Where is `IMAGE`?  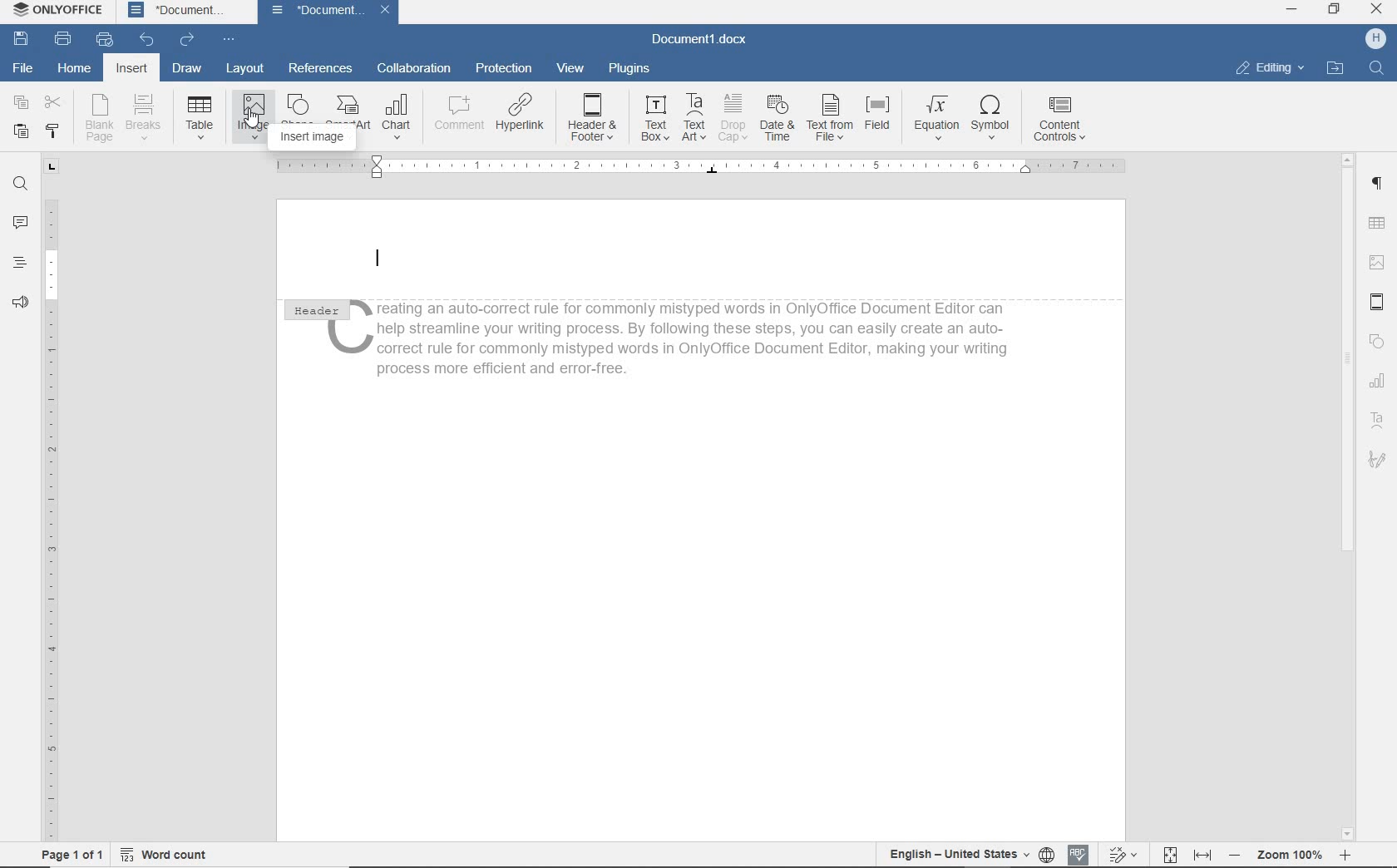 IMAGE is located at coordinates (253, 121).